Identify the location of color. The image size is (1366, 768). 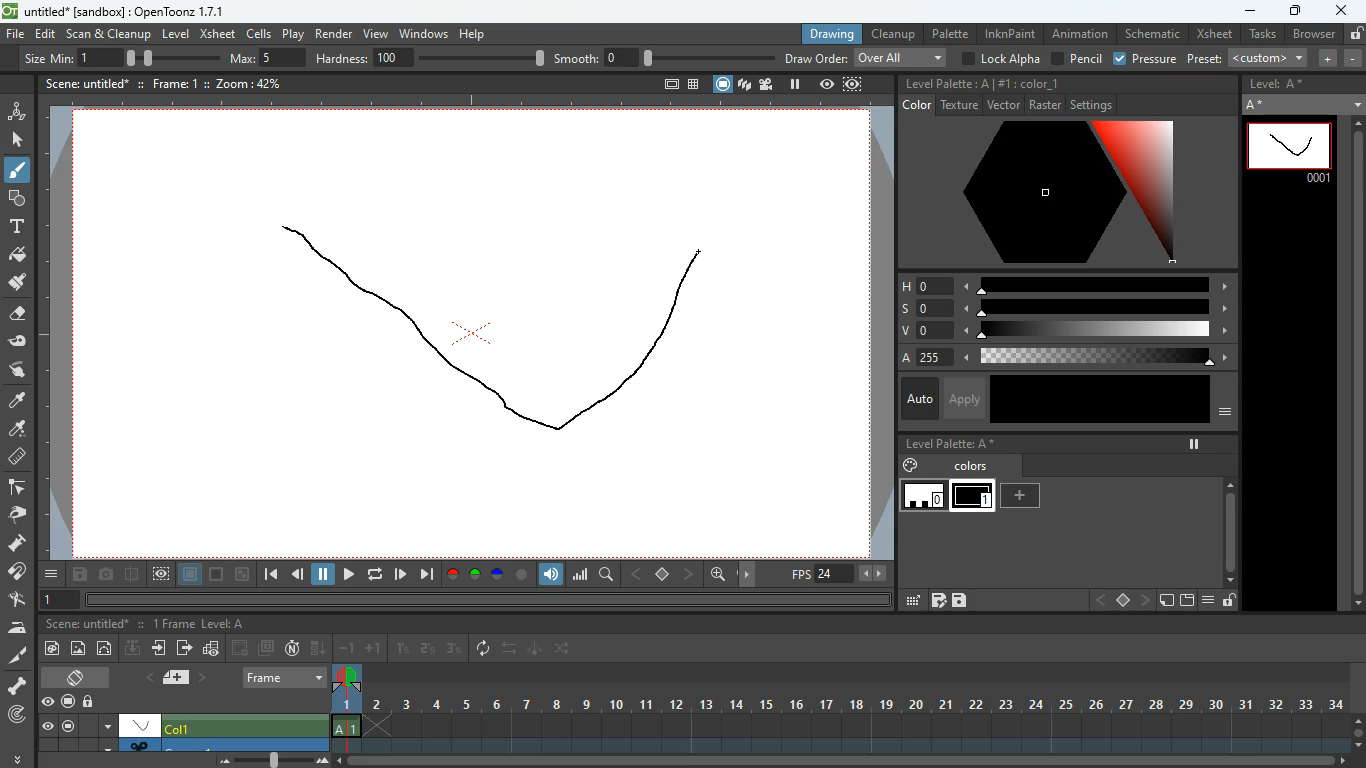
(1038, 82).